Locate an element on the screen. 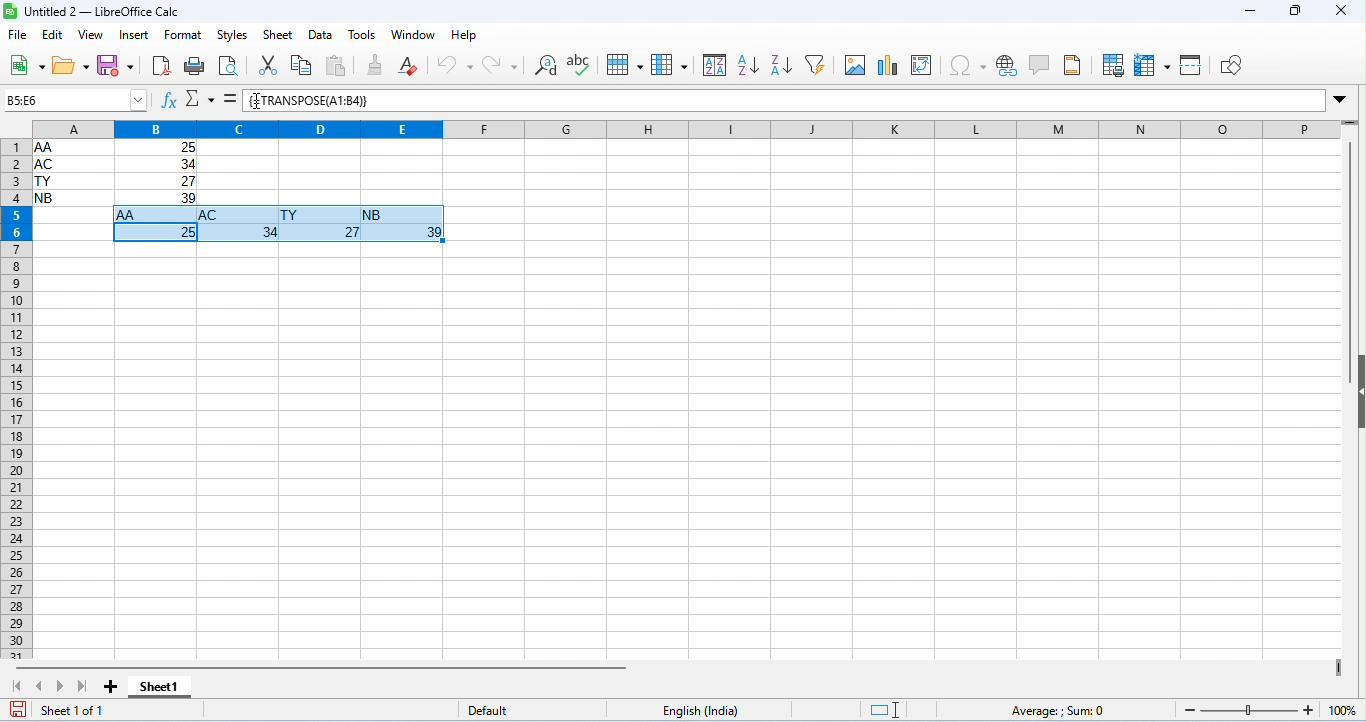 Image resolution: width=1366 pixels, height=722 pixels. close is located at coordinates (1341, 11).